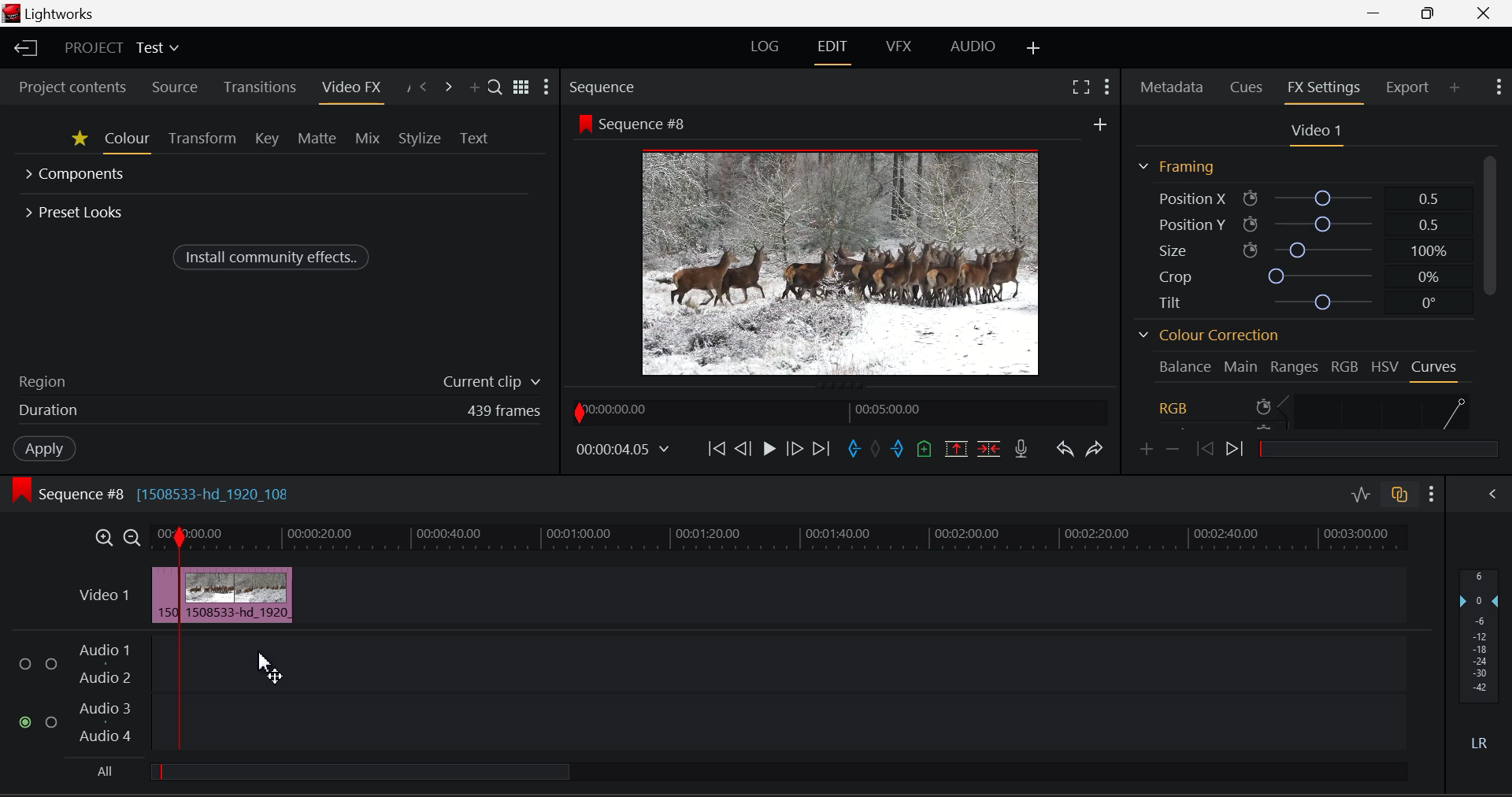 The image size is (1512, 797). Describe the element at coordinates (1080, 89) in the screenshot. I see `Full Screen` at that location.